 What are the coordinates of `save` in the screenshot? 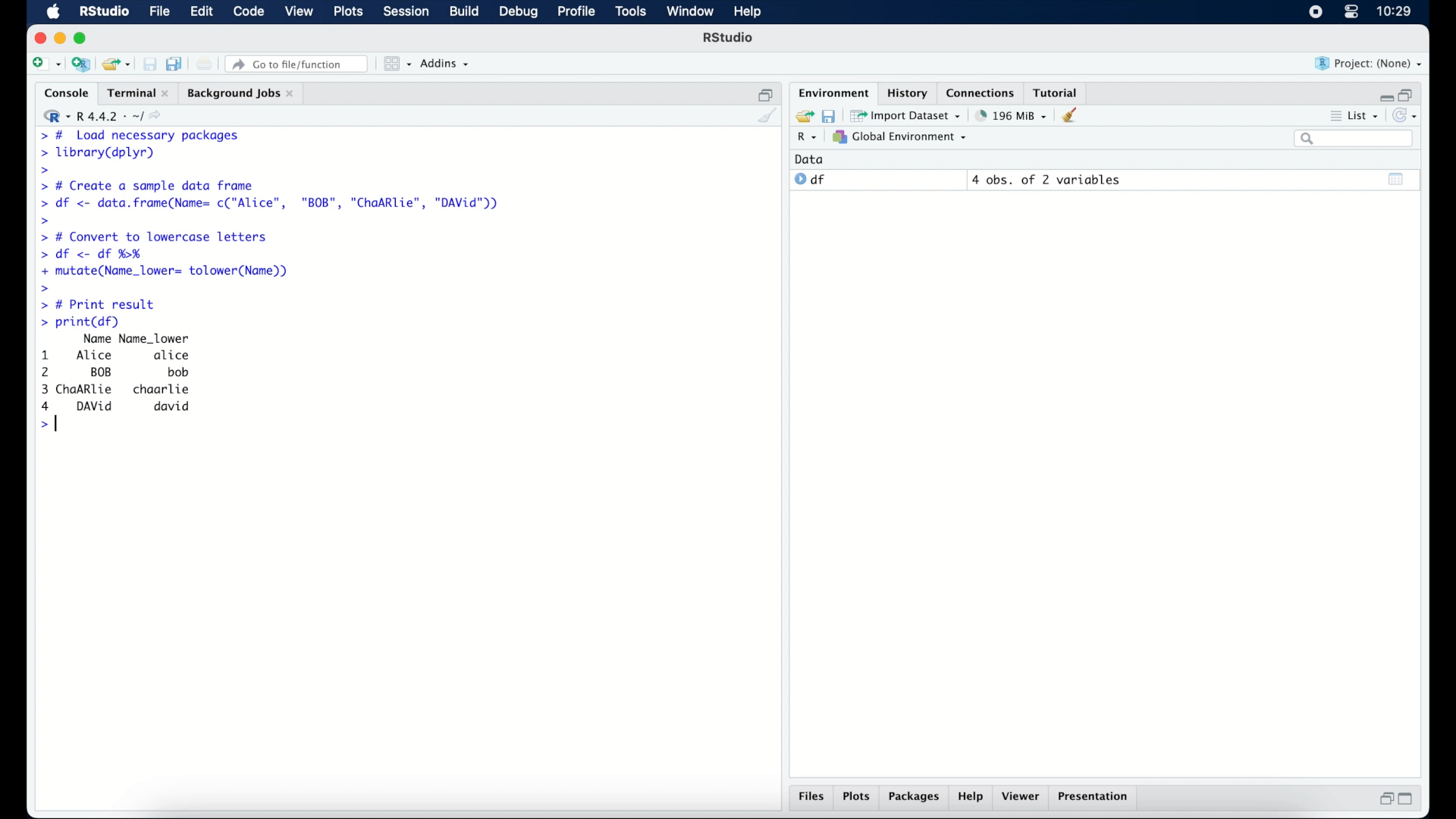 It's located at (149, 64).